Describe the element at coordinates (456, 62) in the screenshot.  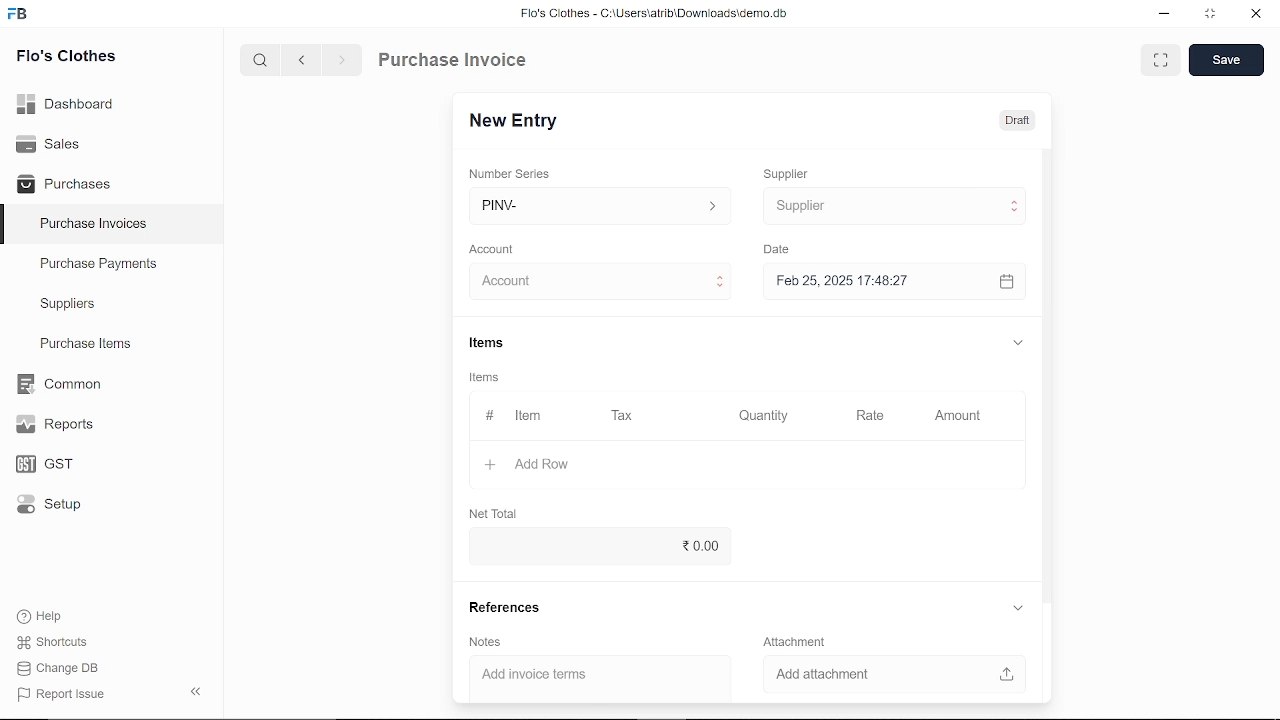
I see `Purchase Invoice` at that location.